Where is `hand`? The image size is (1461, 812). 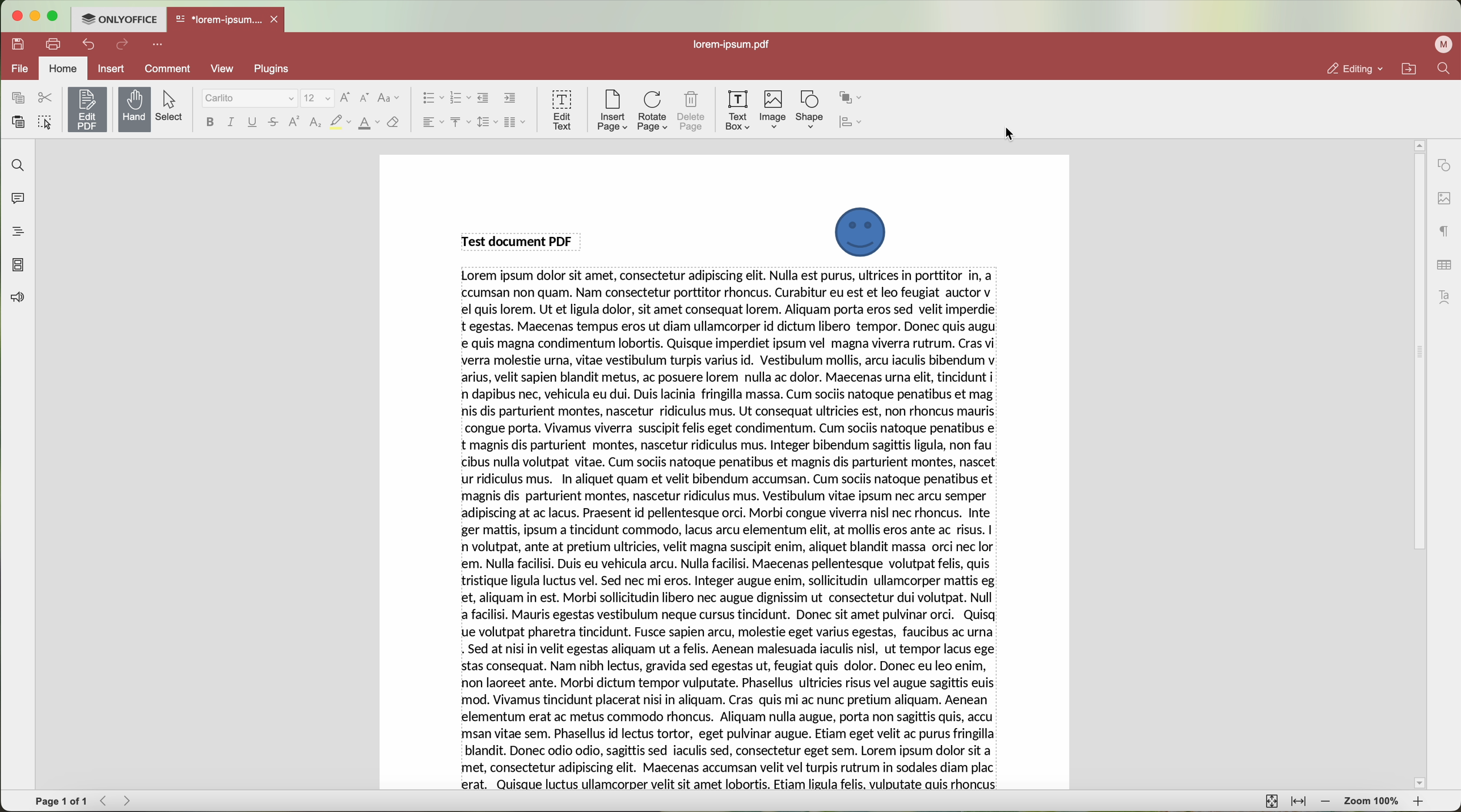 hand is located at coordinates (134, 109).